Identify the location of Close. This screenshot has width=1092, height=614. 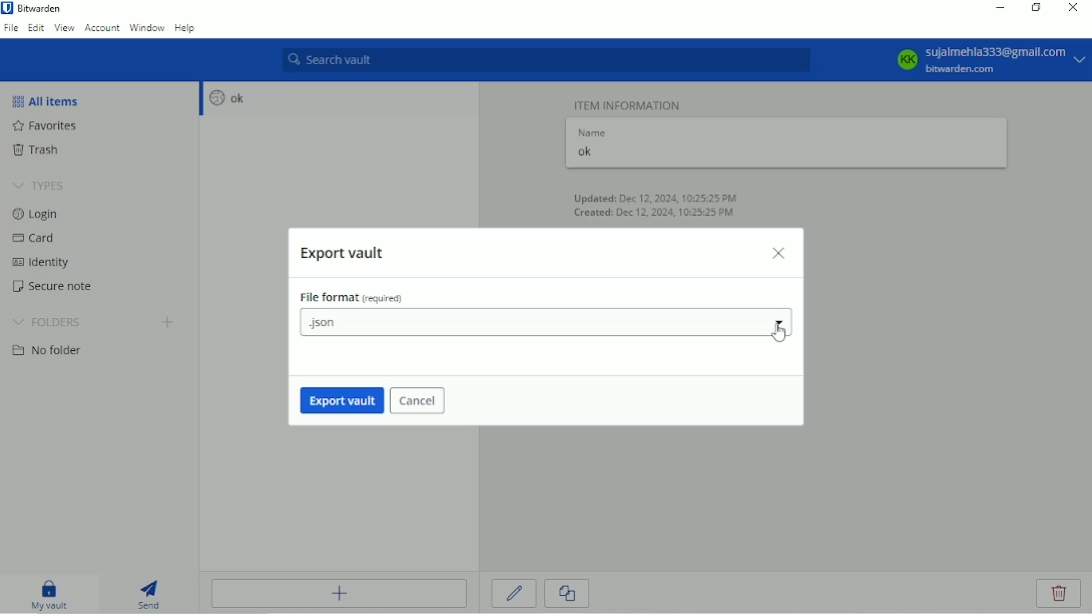
(1071, 9).